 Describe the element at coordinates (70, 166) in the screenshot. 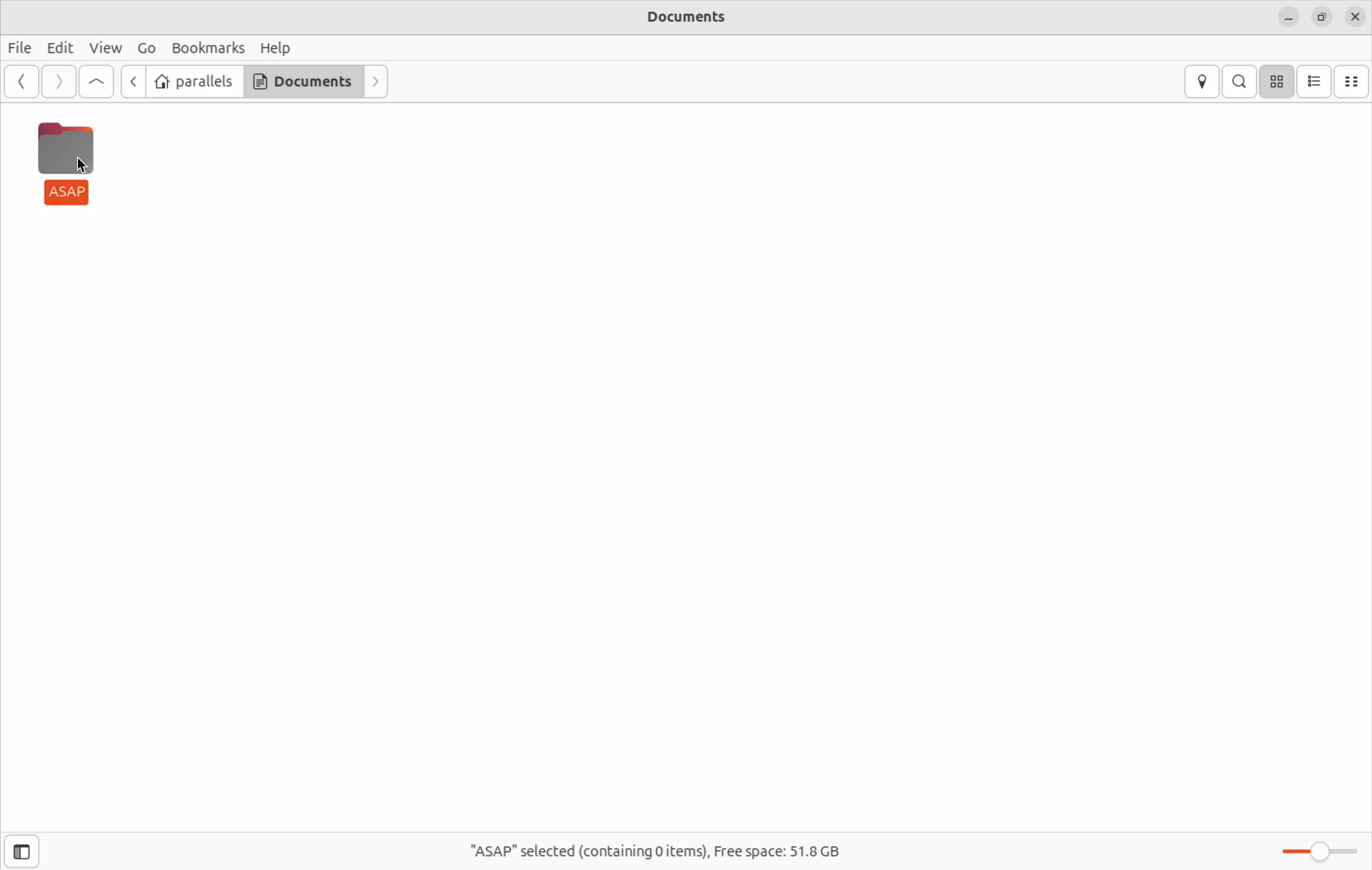

I see `ASAP` at that location.